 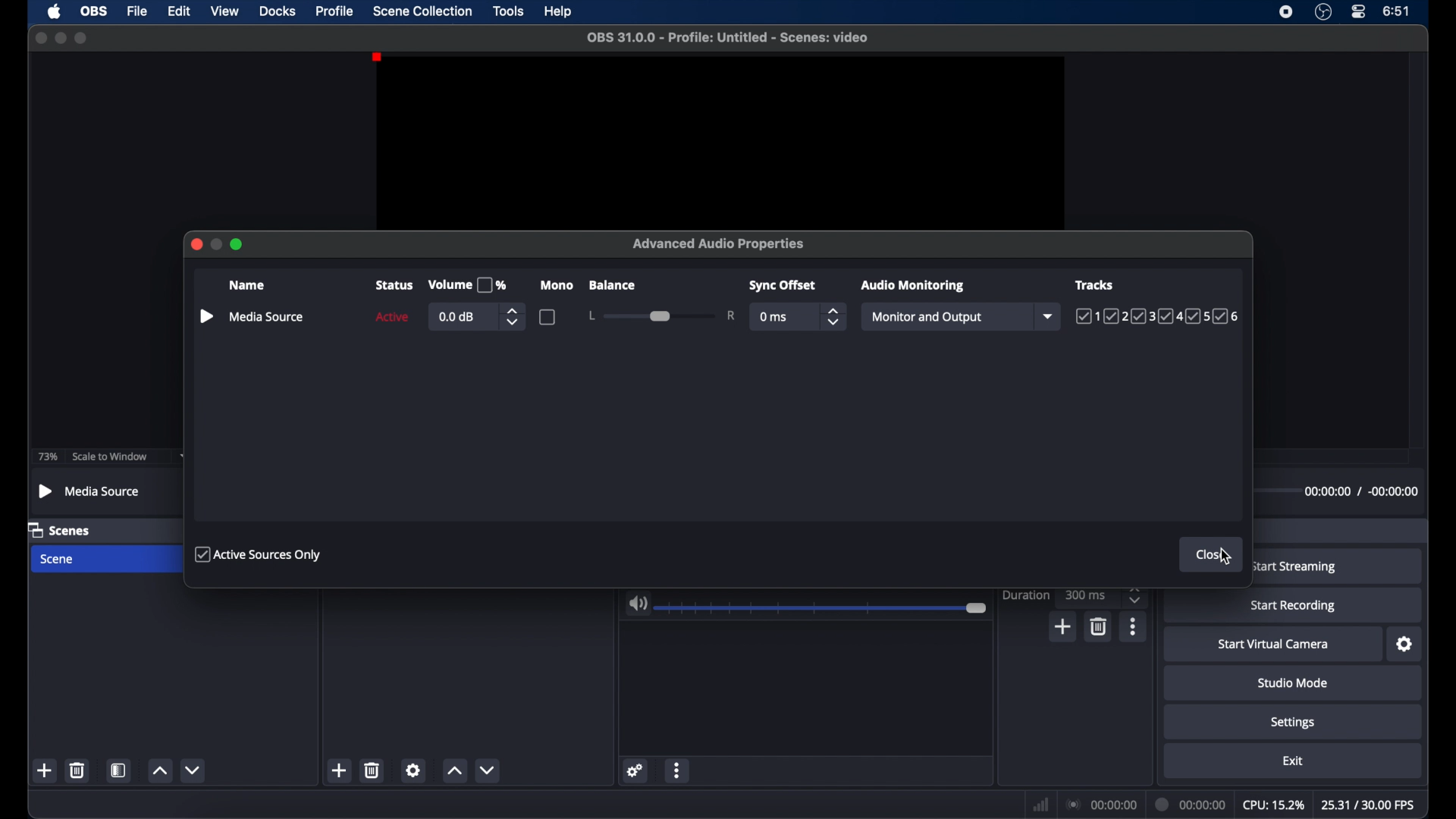 What do you see at coordinates (509, 11) in the screenshot?
I see `tools` at bounding box center [509, 11].